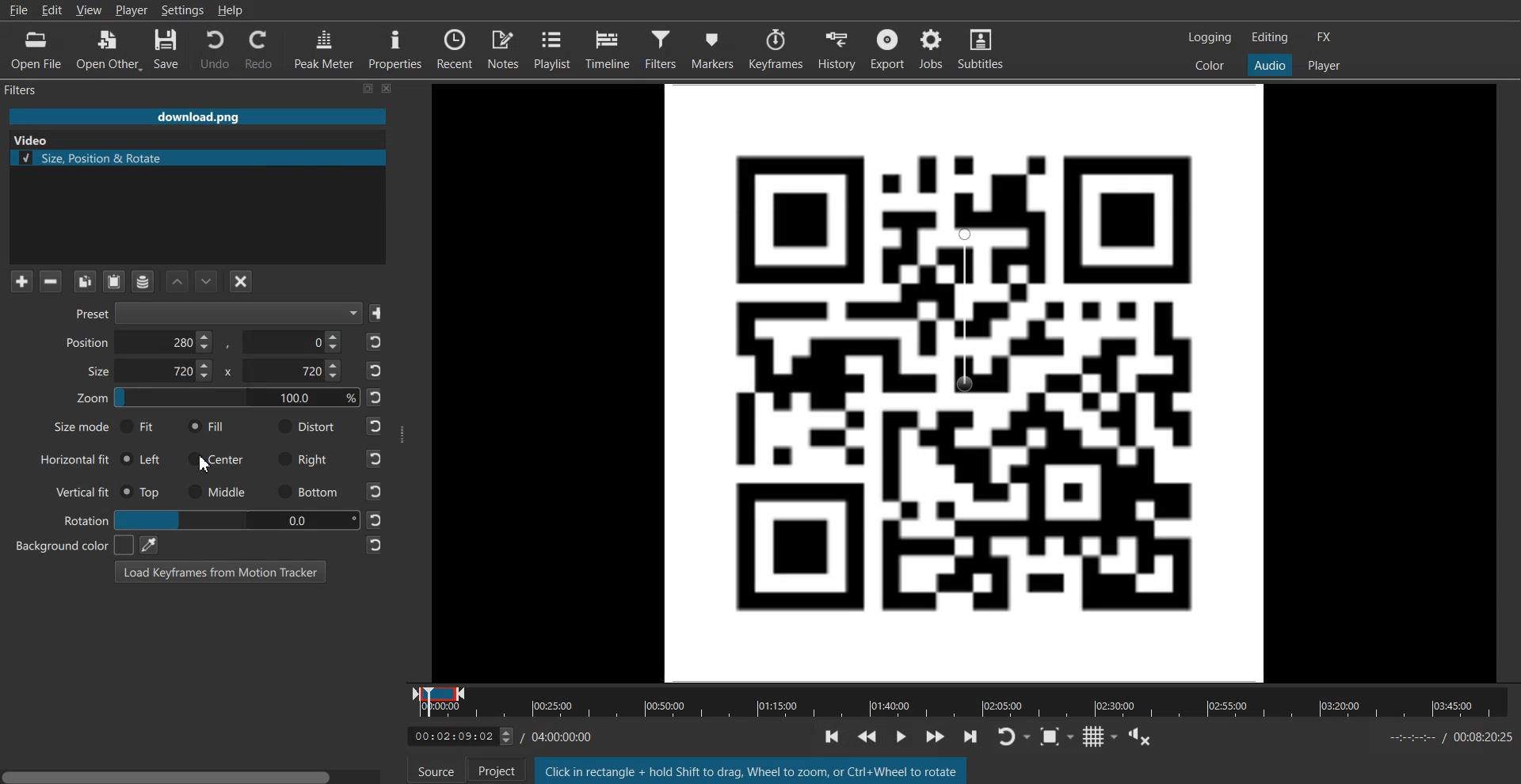 This screenshot has width=1521, height=784. Describe the element at coordinates (86, 281) in the screenshot. I see `Copy checked Filter` at that location.